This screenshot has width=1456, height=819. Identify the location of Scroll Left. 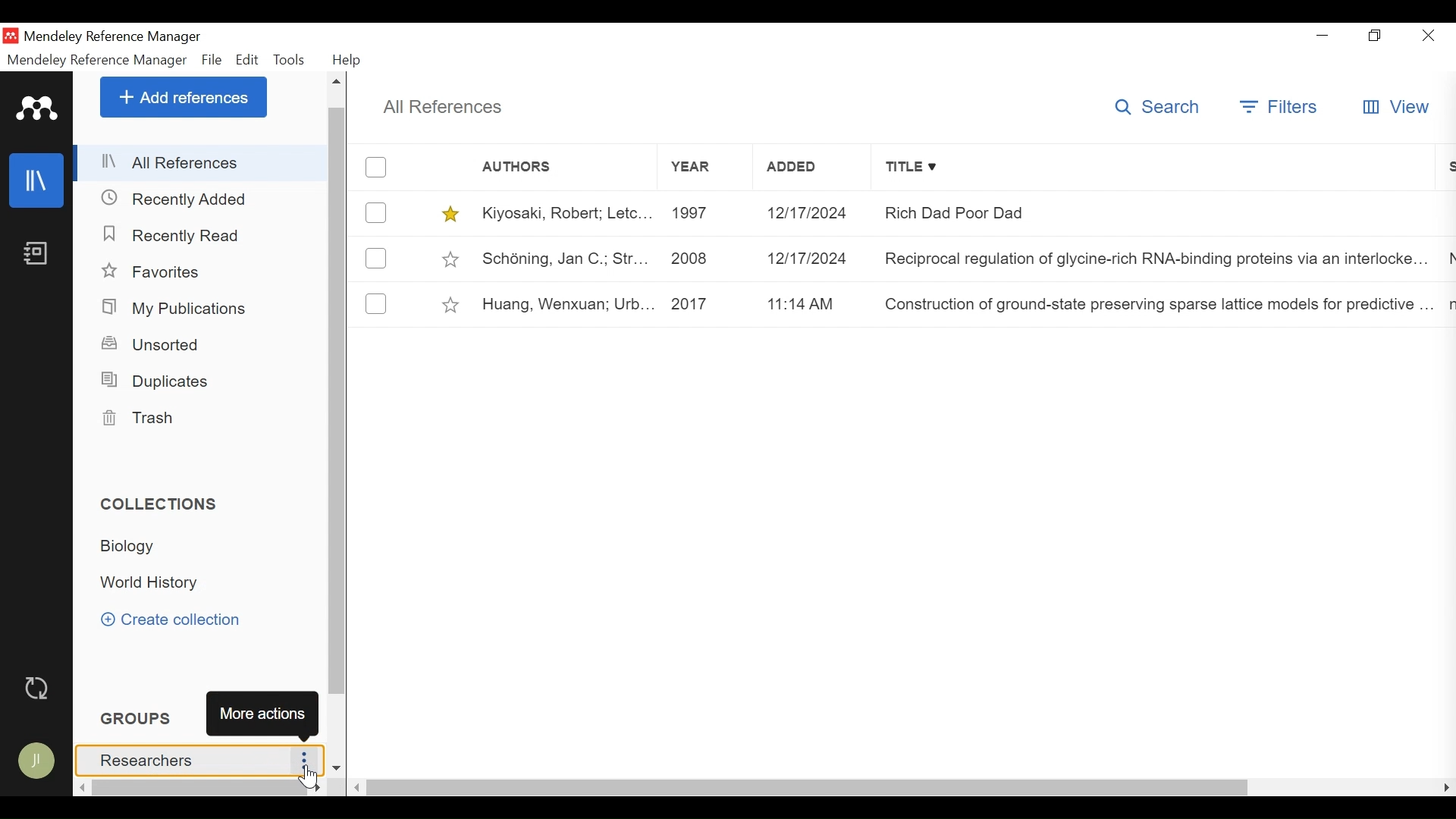
(360, 786).